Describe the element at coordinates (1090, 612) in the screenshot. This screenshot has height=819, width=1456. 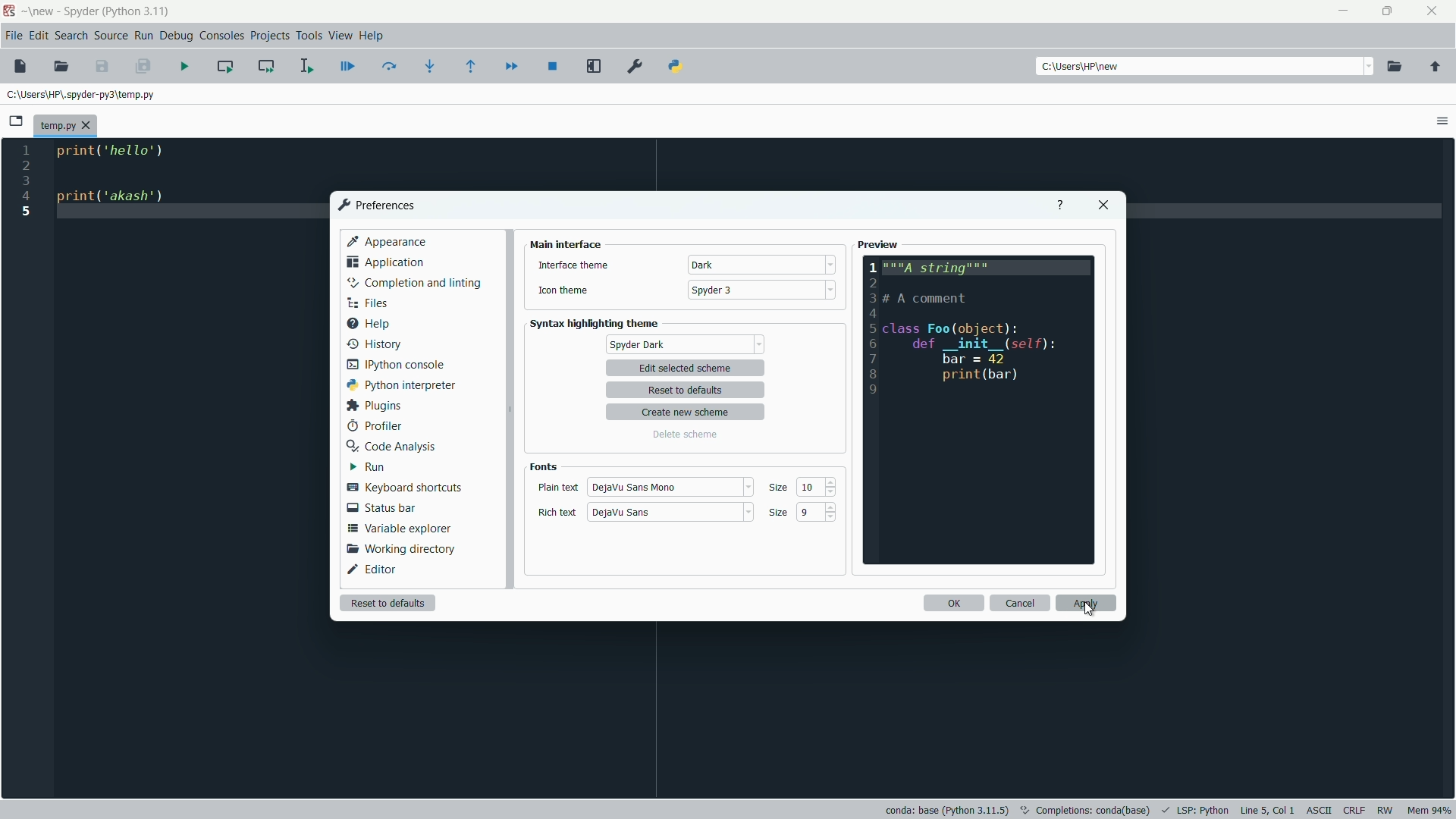
I see `cursor` at that location.